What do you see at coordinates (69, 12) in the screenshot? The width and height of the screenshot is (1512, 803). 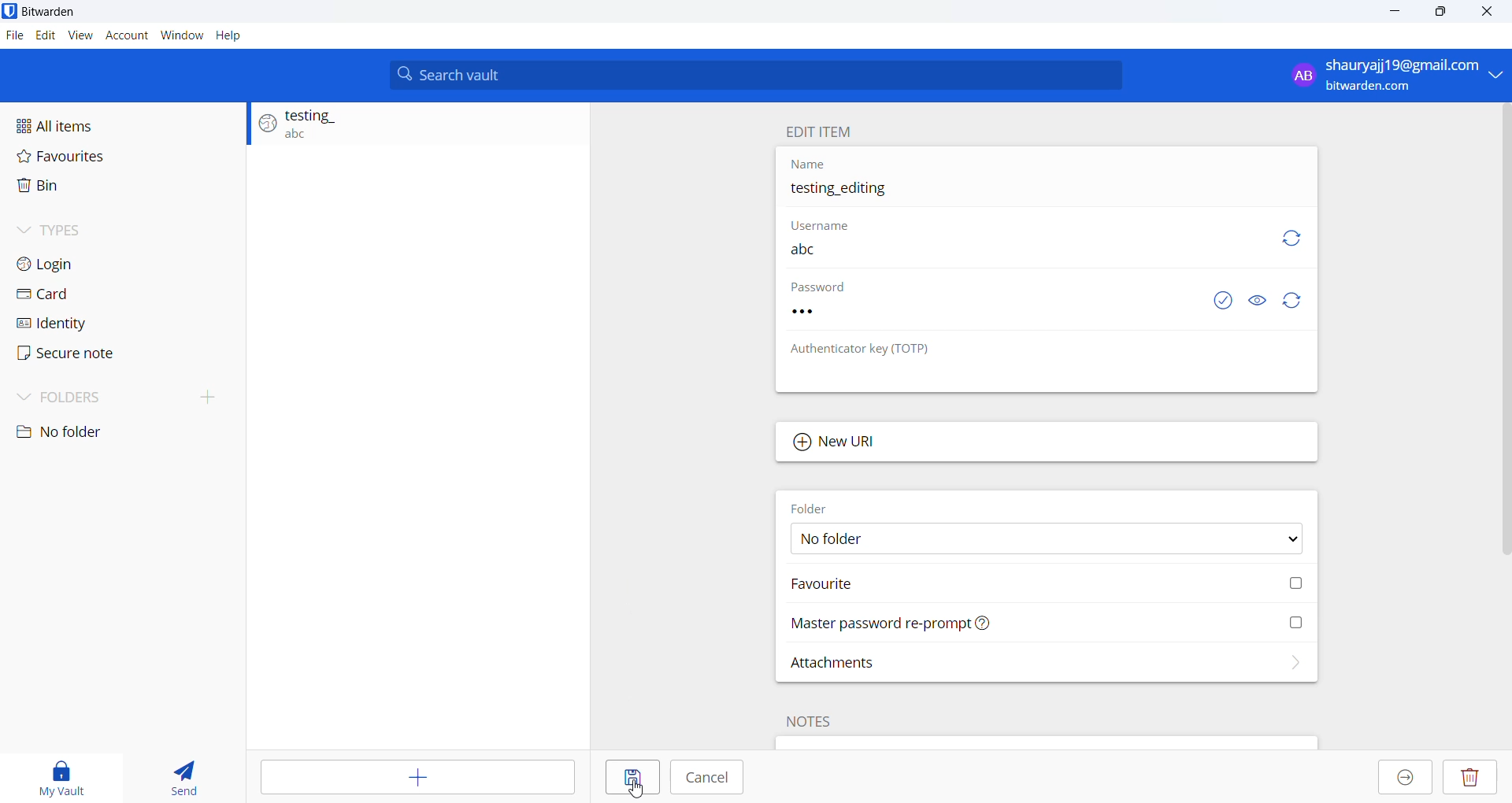 I see `Application name ` at bounding box center [69, 12].